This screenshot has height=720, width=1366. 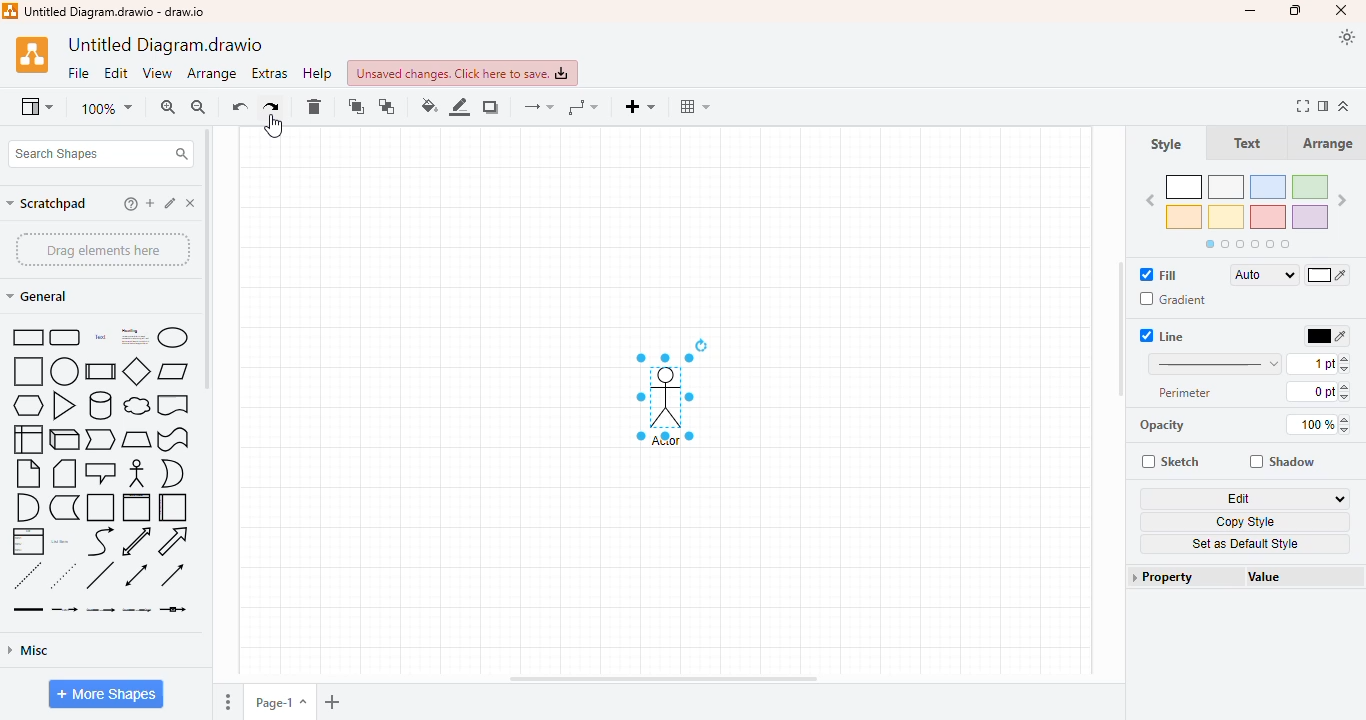 I want to click on auto, so click(x=1264, y=275).